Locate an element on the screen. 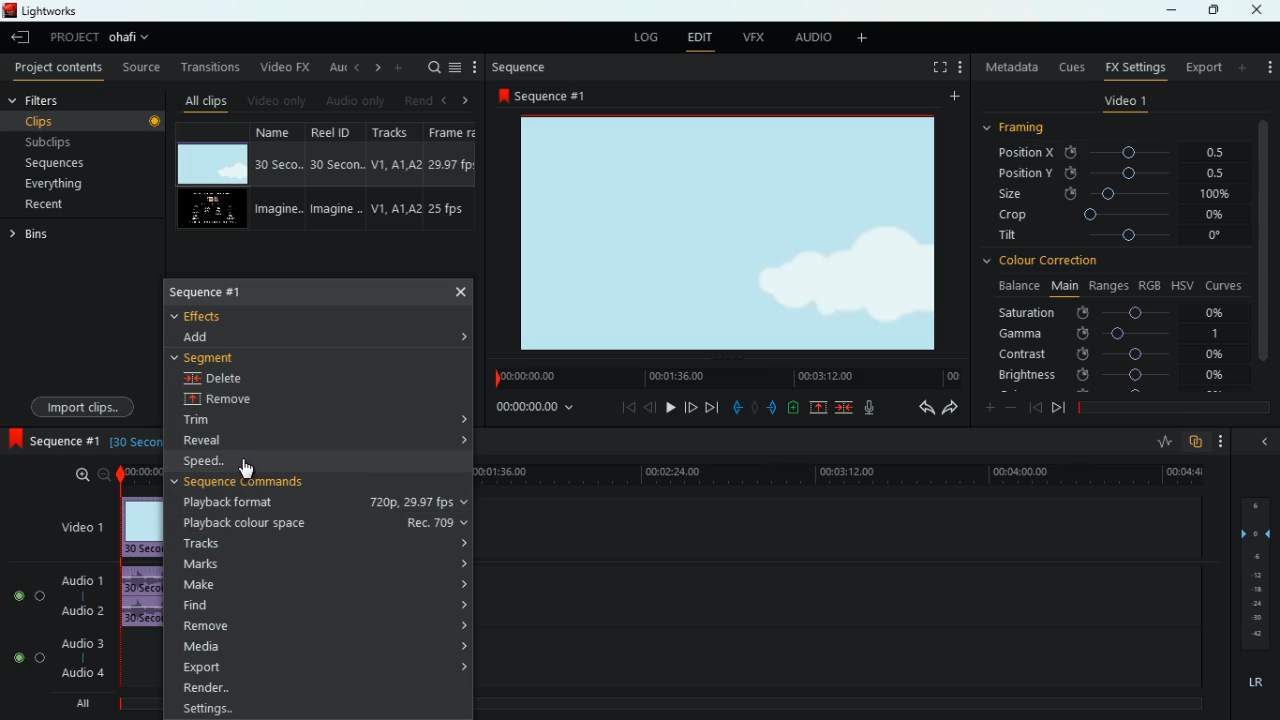  expand is located at coordinates (465, 666).